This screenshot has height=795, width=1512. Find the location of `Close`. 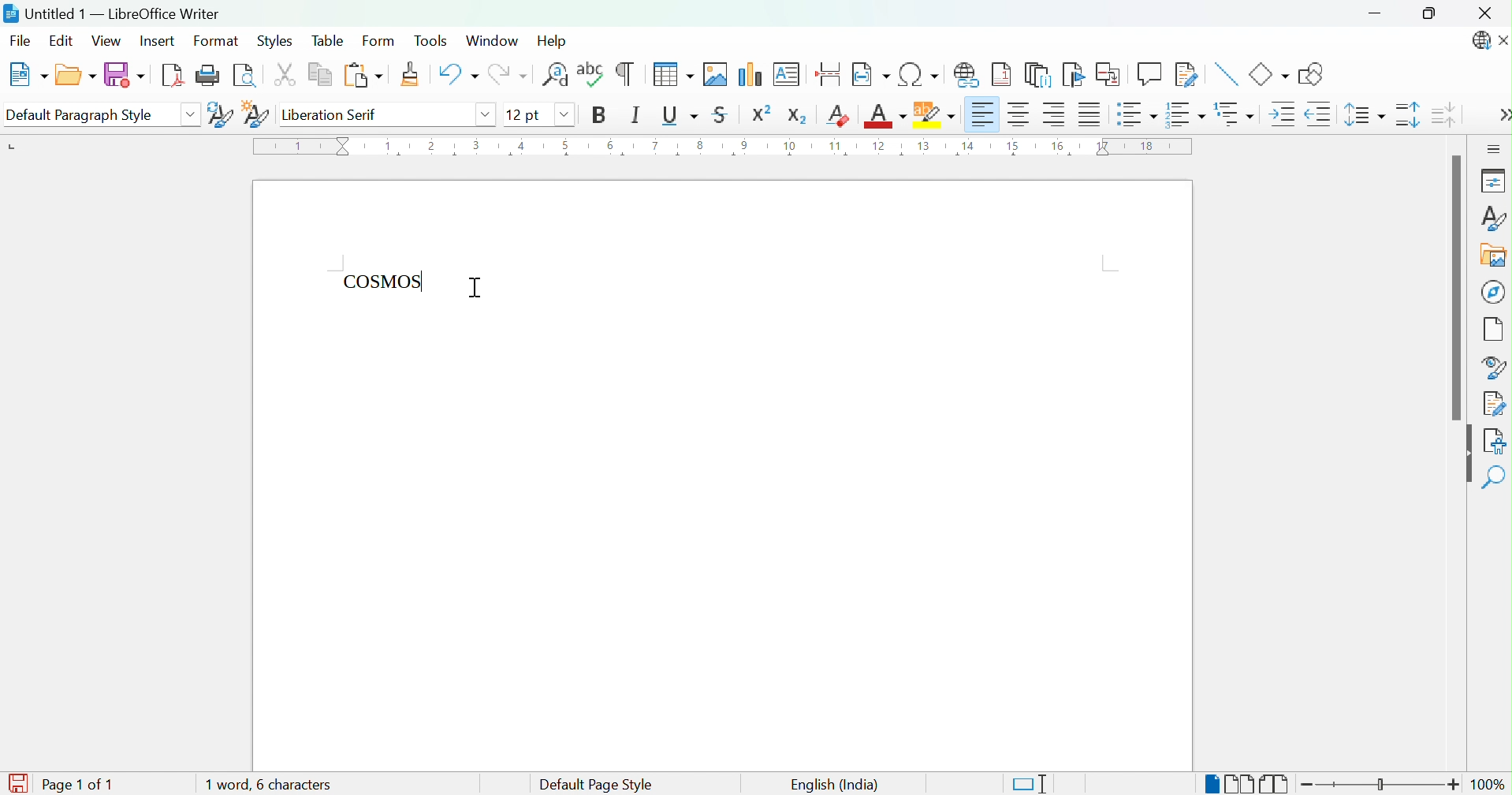

Close is located at coordinates (1488, 12).